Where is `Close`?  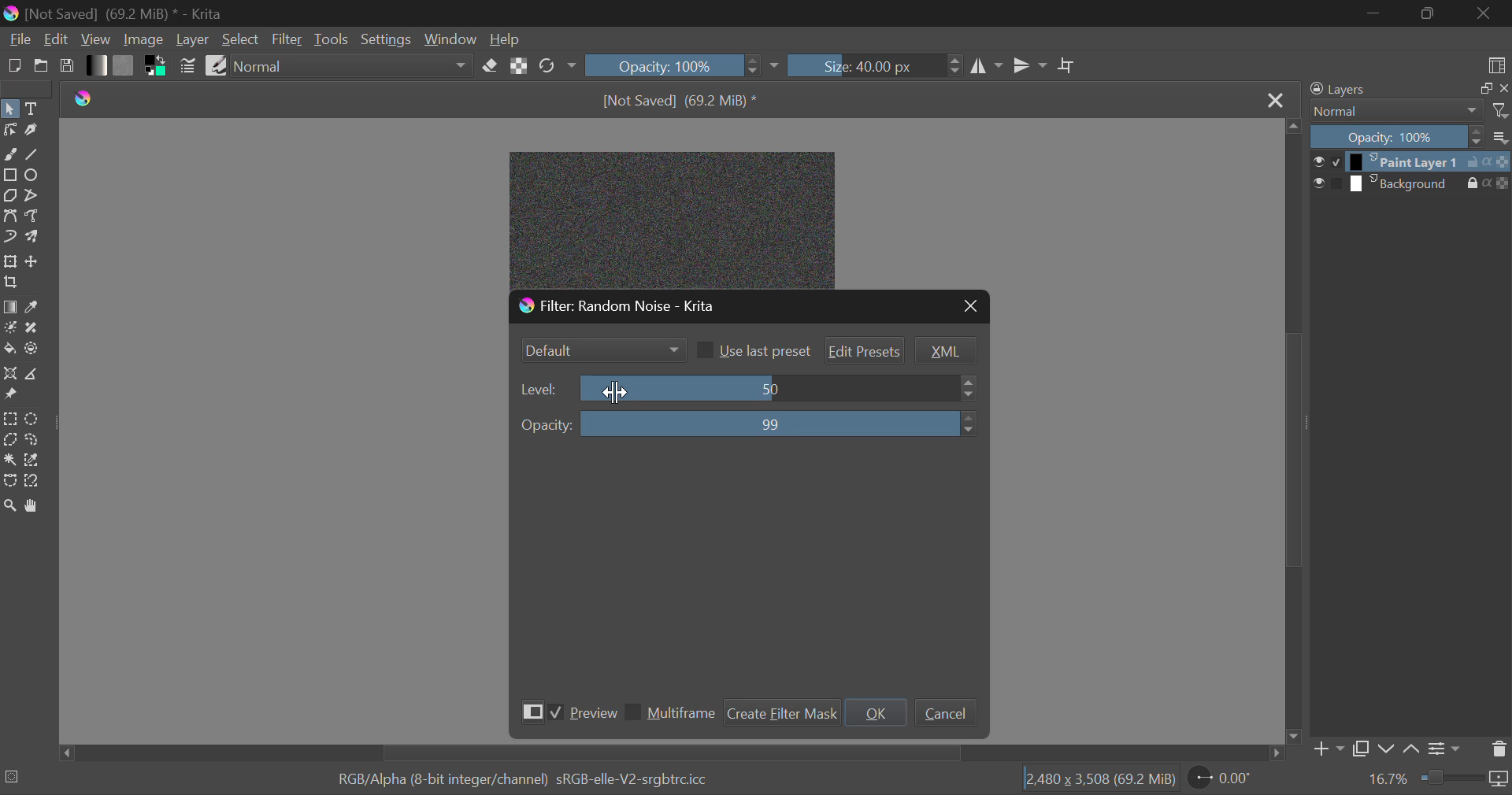 Close is located at coordinates (1484, 13).